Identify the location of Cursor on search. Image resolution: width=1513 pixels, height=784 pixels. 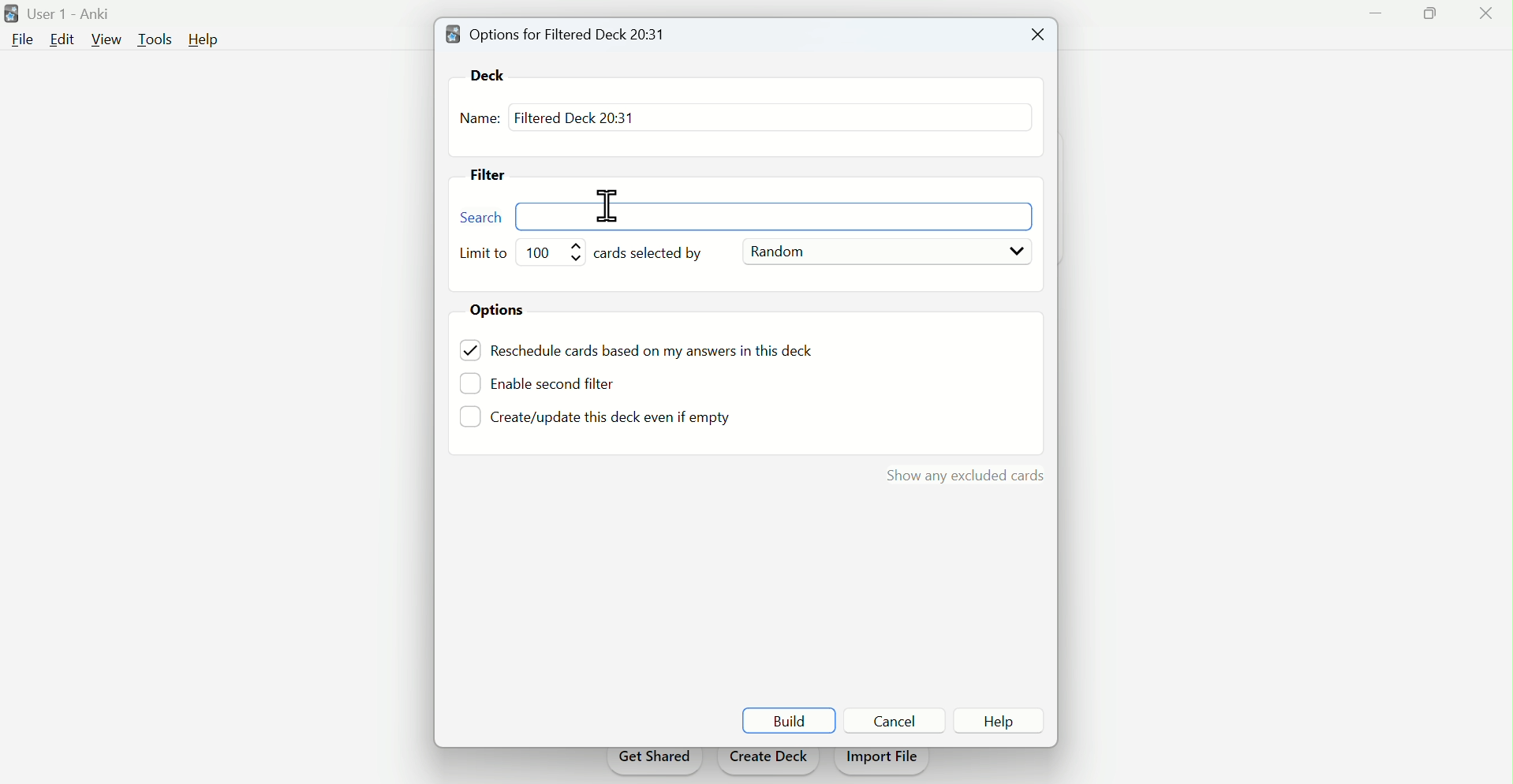
(608, 204).